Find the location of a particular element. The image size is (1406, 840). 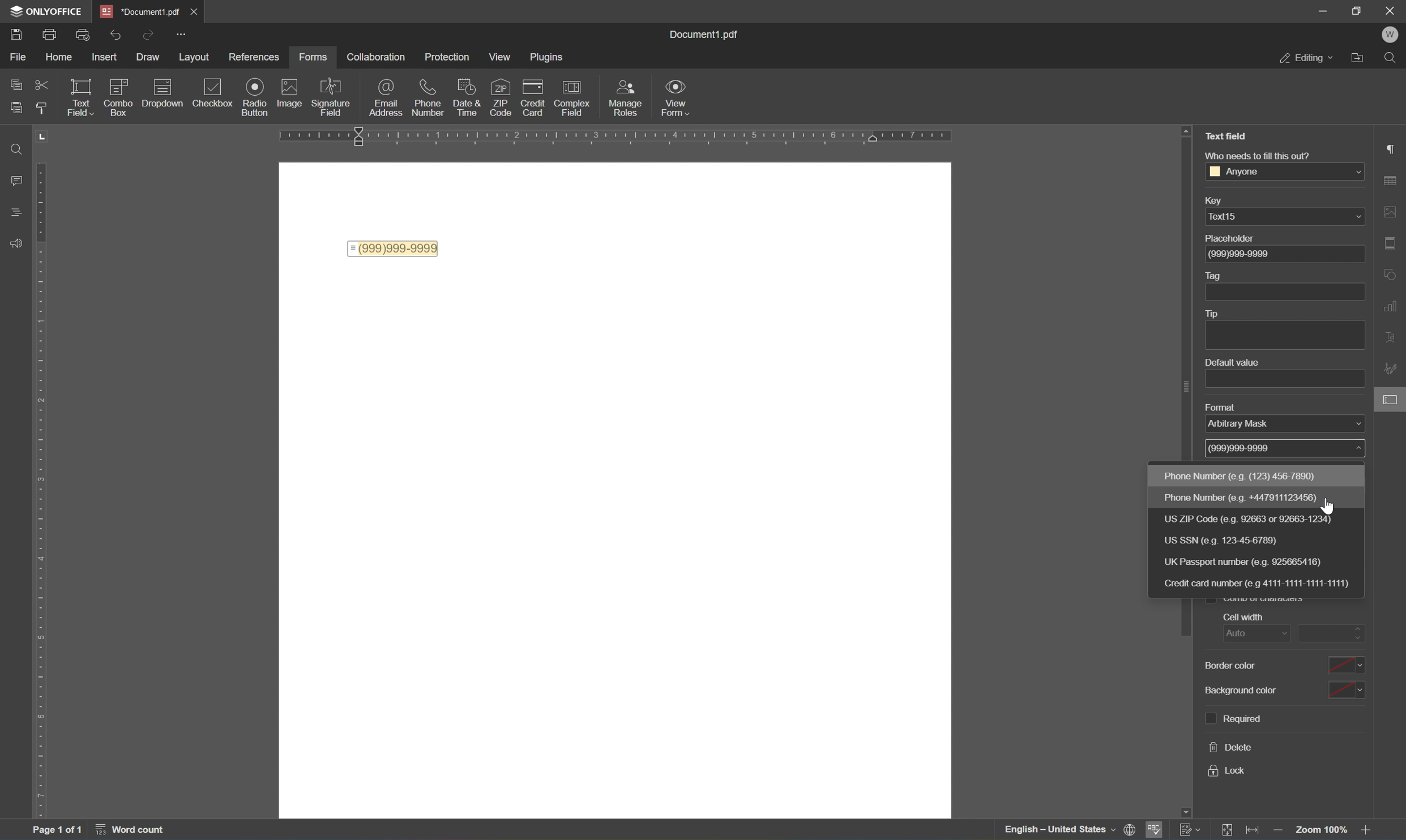

ONLYOFFICE is located at coordinates (42, 9).